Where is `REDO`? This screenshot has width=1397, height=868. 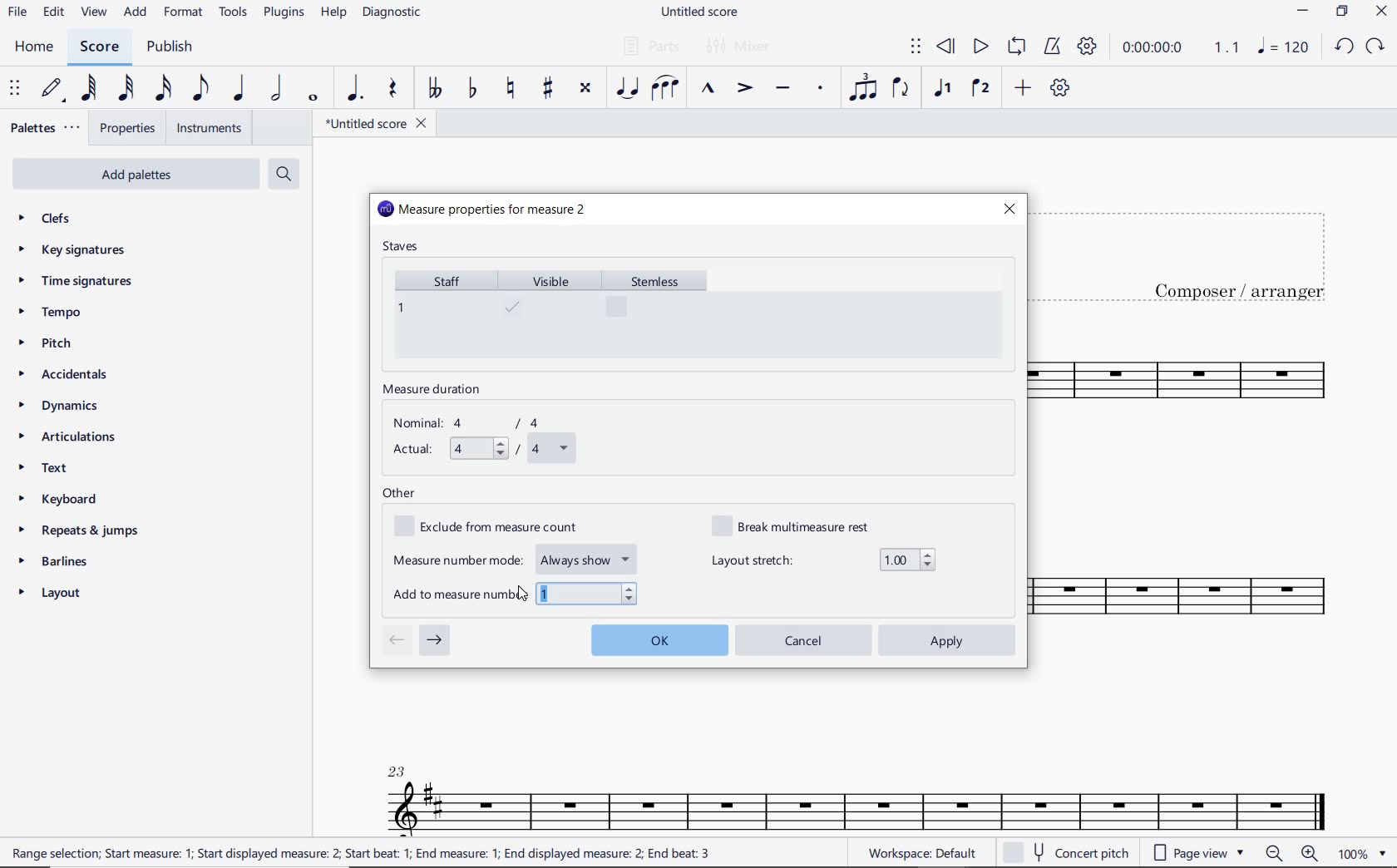
REDO is located at coordinates (1376, 47).